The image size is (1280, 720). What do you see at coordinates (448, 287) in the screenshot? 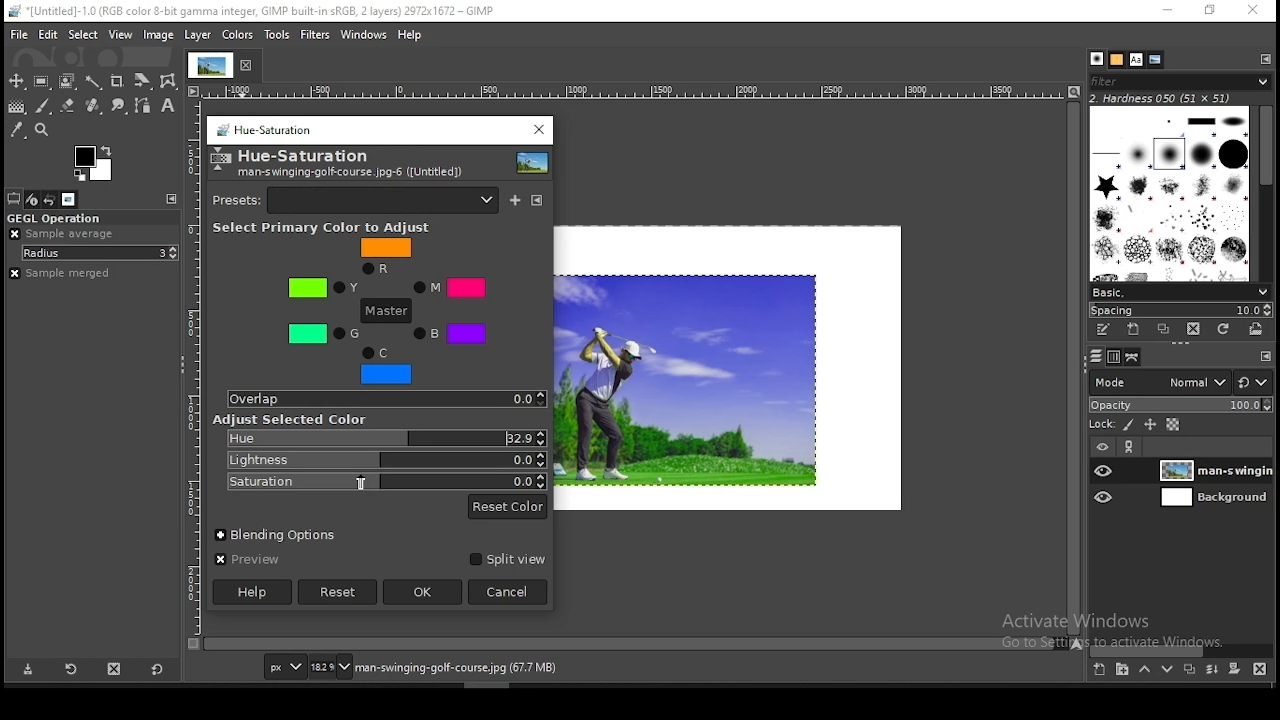
I see `M` at bounding box center [448, 287].